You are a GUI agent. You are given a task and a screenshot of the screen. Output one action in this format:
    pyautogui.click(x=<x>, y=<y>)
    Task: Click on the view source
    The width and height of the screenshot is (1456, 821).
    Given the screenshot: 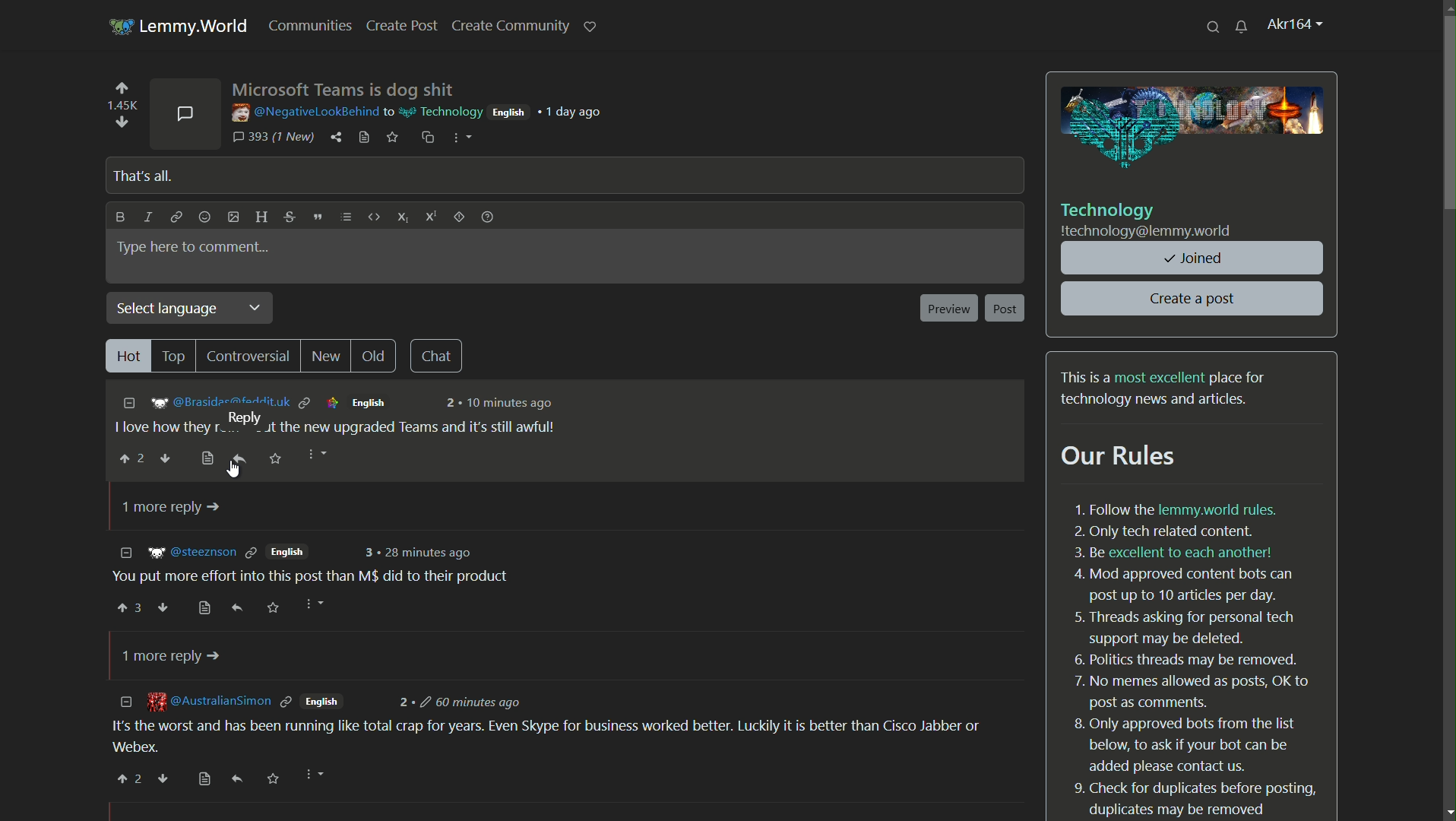 What is the action you would take?
    pyautogui.click(x=205, y=609)
    